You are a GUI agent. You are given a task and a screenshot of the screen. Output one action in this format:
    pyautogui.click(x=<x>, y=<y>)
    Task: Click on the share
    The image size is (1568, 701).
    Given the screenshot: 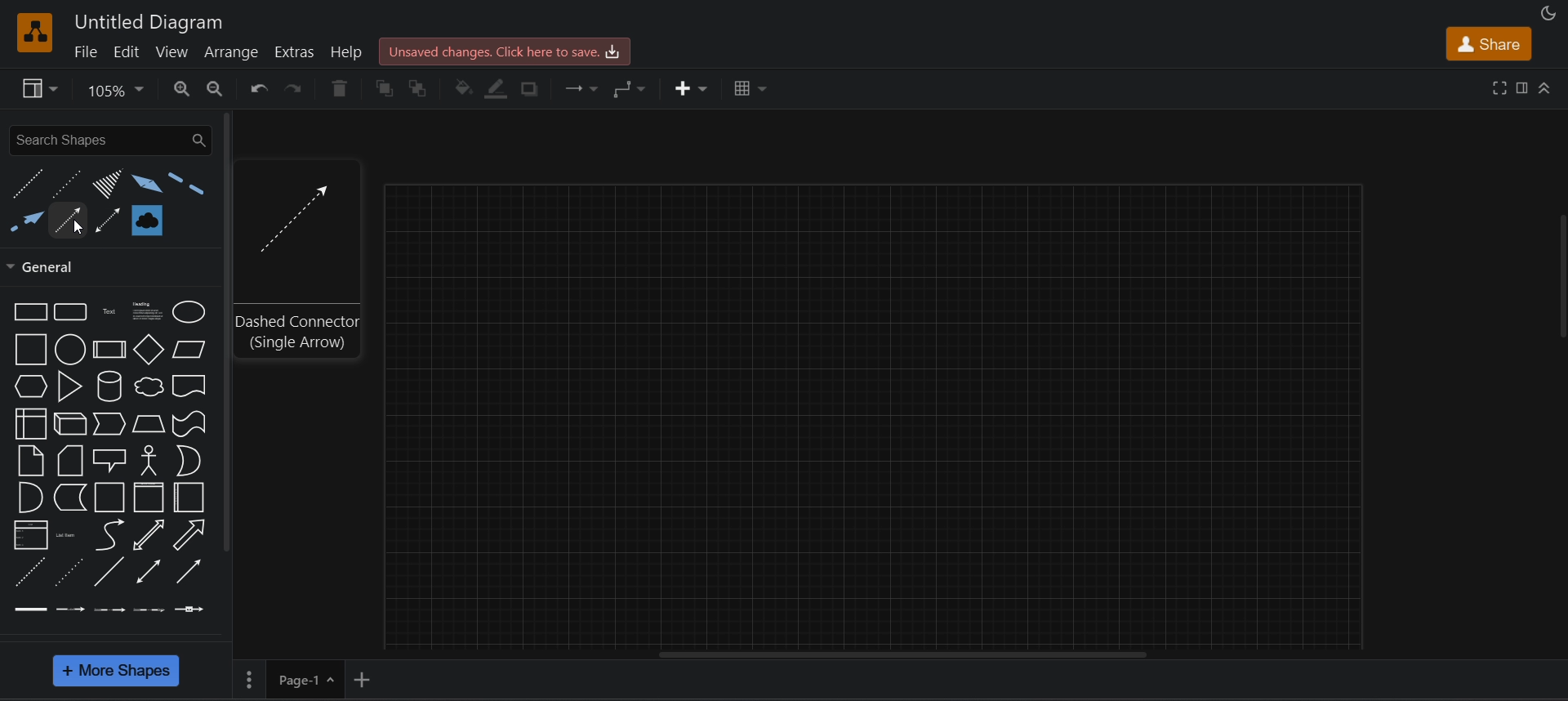 What is the action you would take?
    pyautogui.click(x=1483, y=43)
    